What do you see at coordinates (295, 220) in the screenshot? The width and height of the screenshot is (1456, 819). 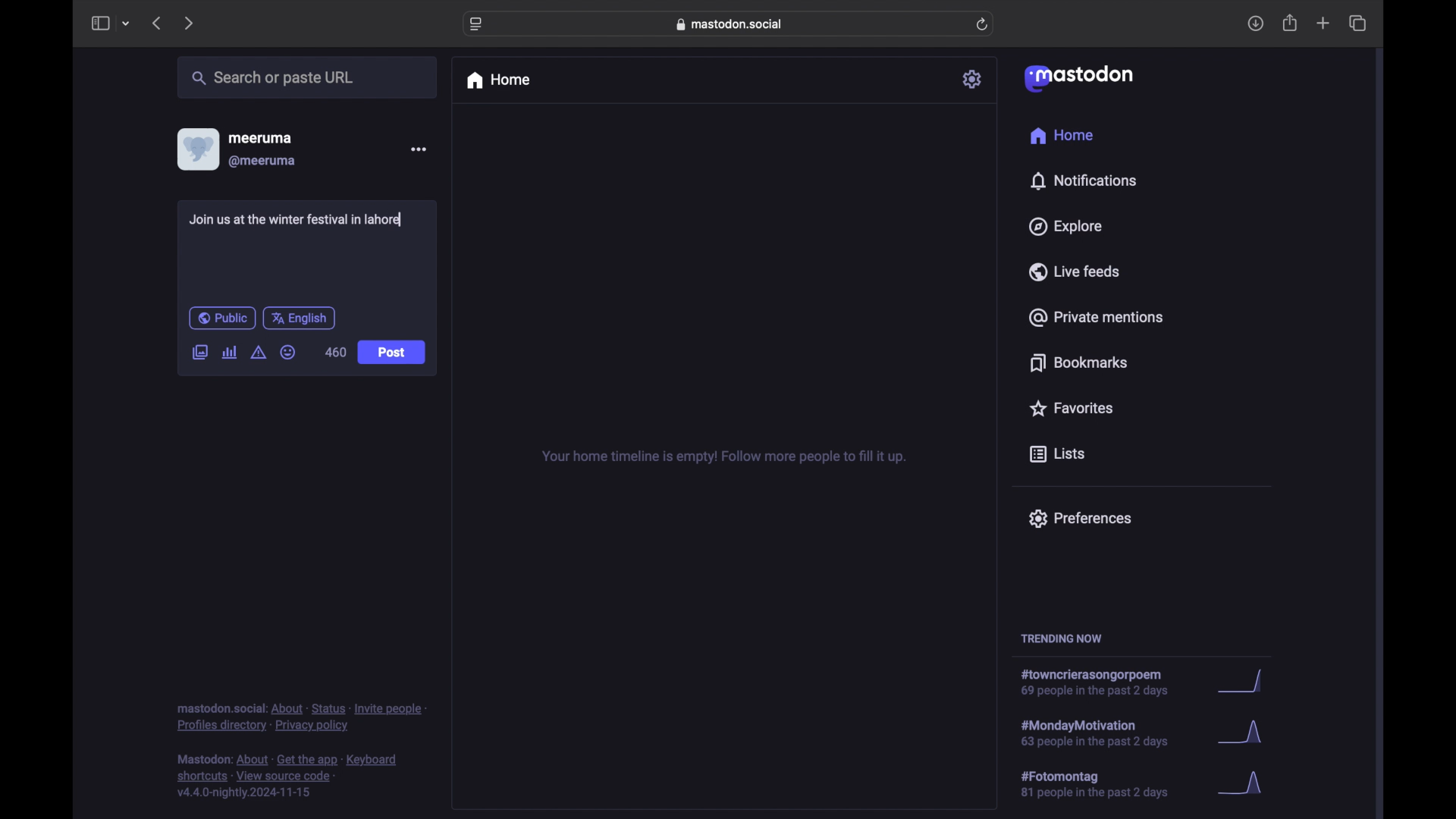 I see `Join us at the winter festival in lahore` at bounding box center [295, 220].